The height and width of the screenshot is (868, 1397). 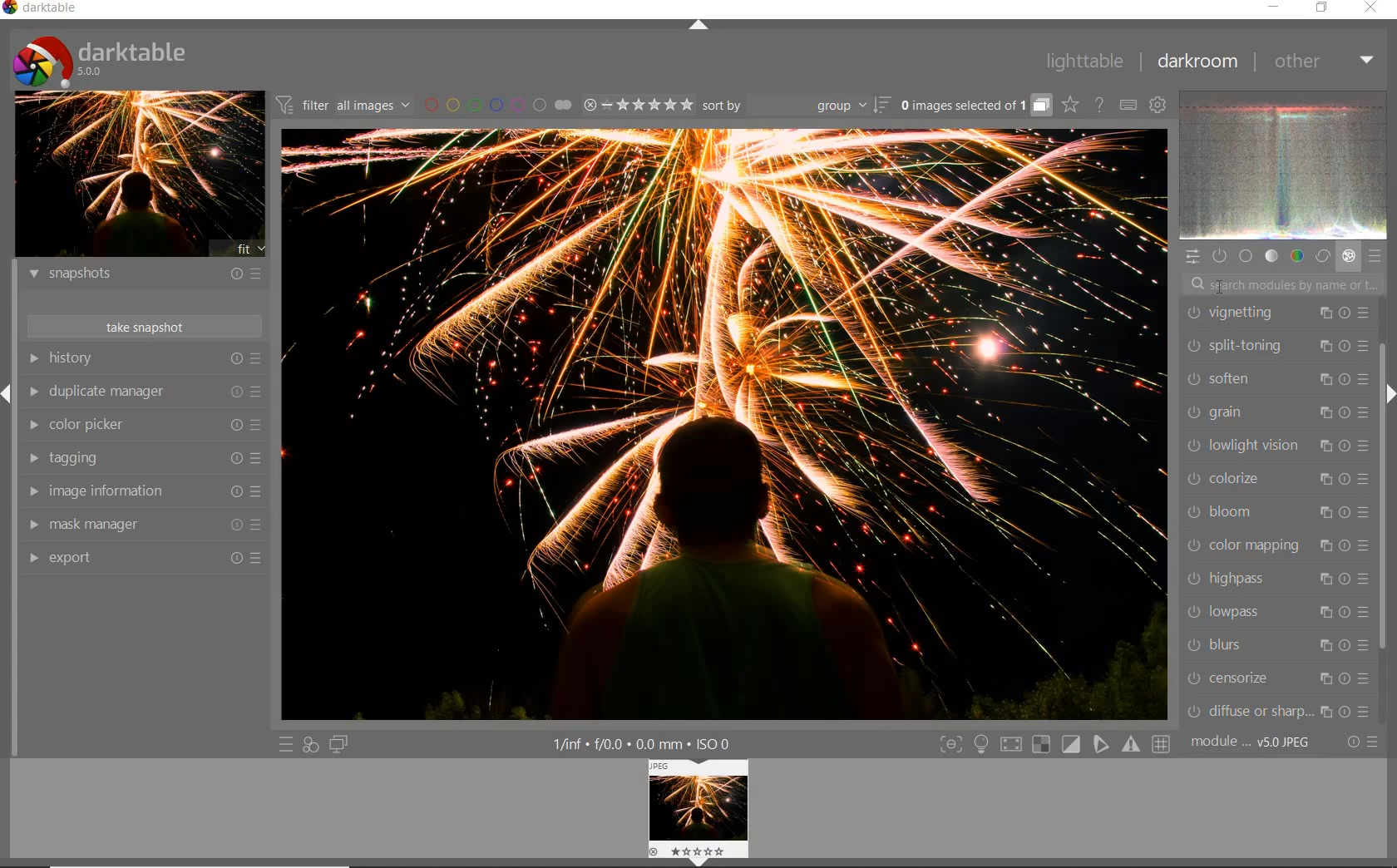 What do you see at coordinates (1222, 287) in the screenshot?
I see `CURSOR` at bounding box center [1222, 287].